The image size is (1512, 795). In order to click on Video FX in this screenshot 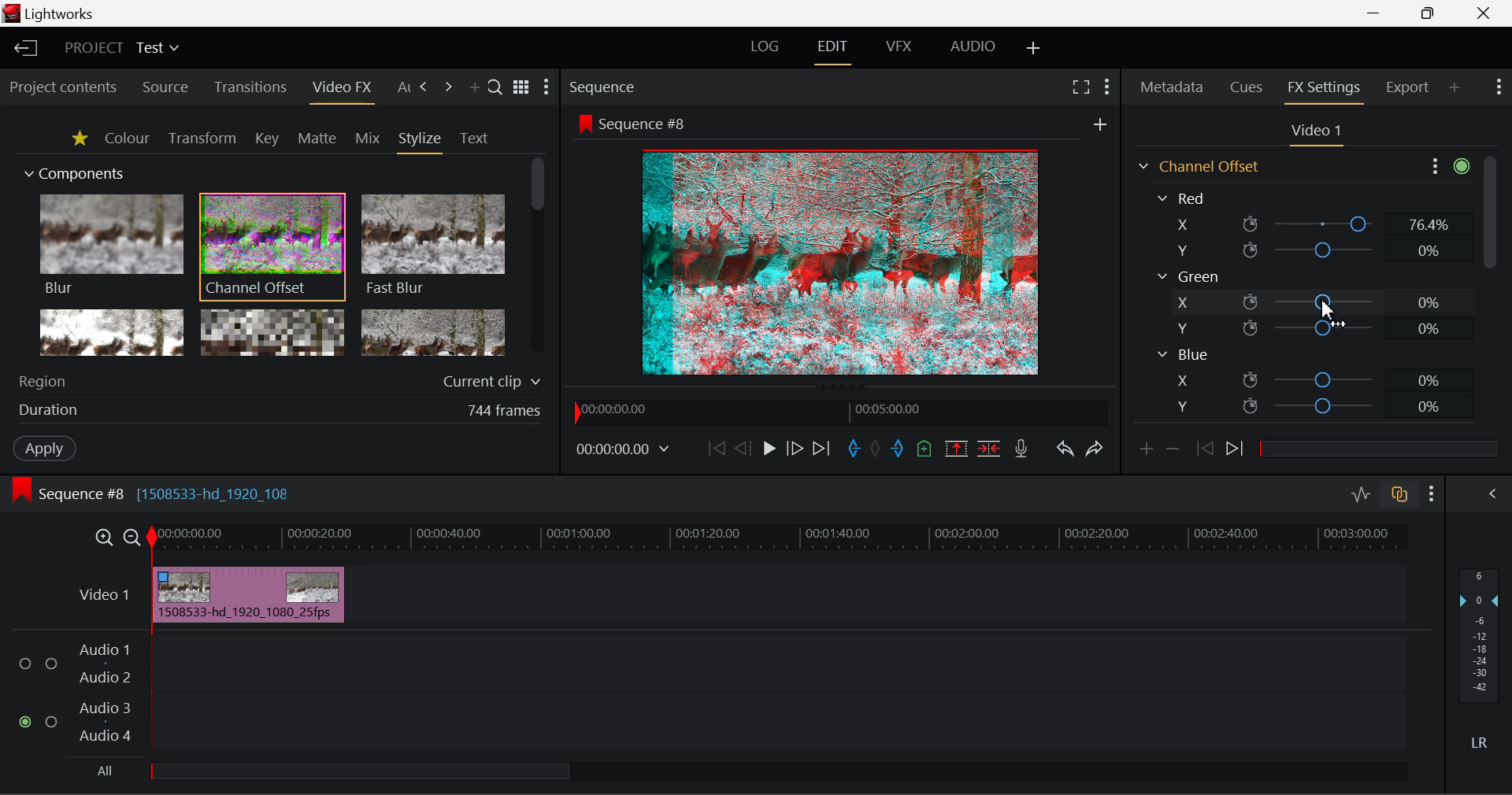, I will do `click(341, 91)`.